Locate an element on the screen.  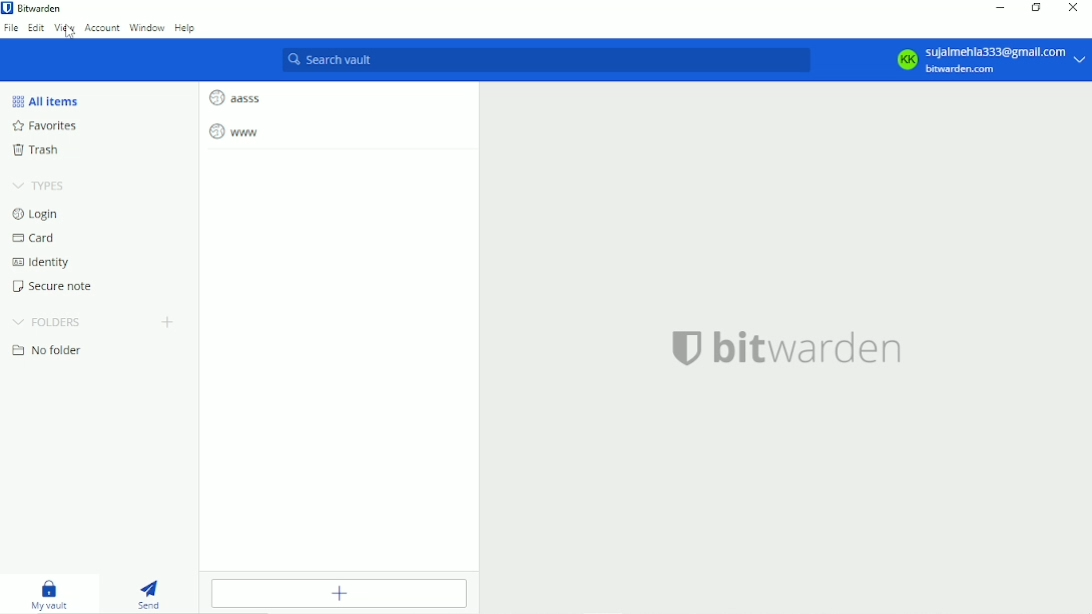
Cursor is located at coordinates (70, 32).